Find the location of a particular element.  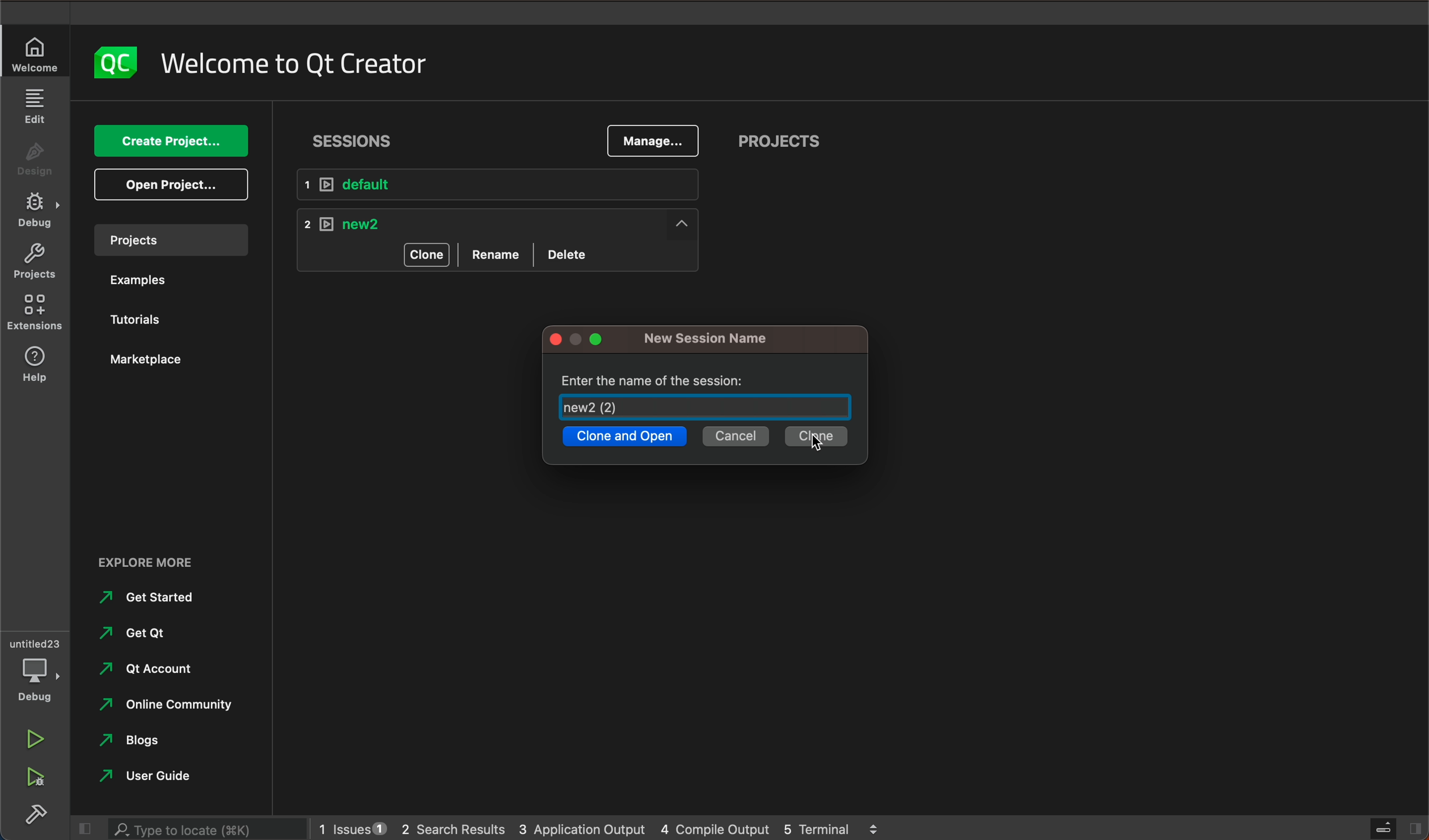

design is located at coordinates (37, 160).